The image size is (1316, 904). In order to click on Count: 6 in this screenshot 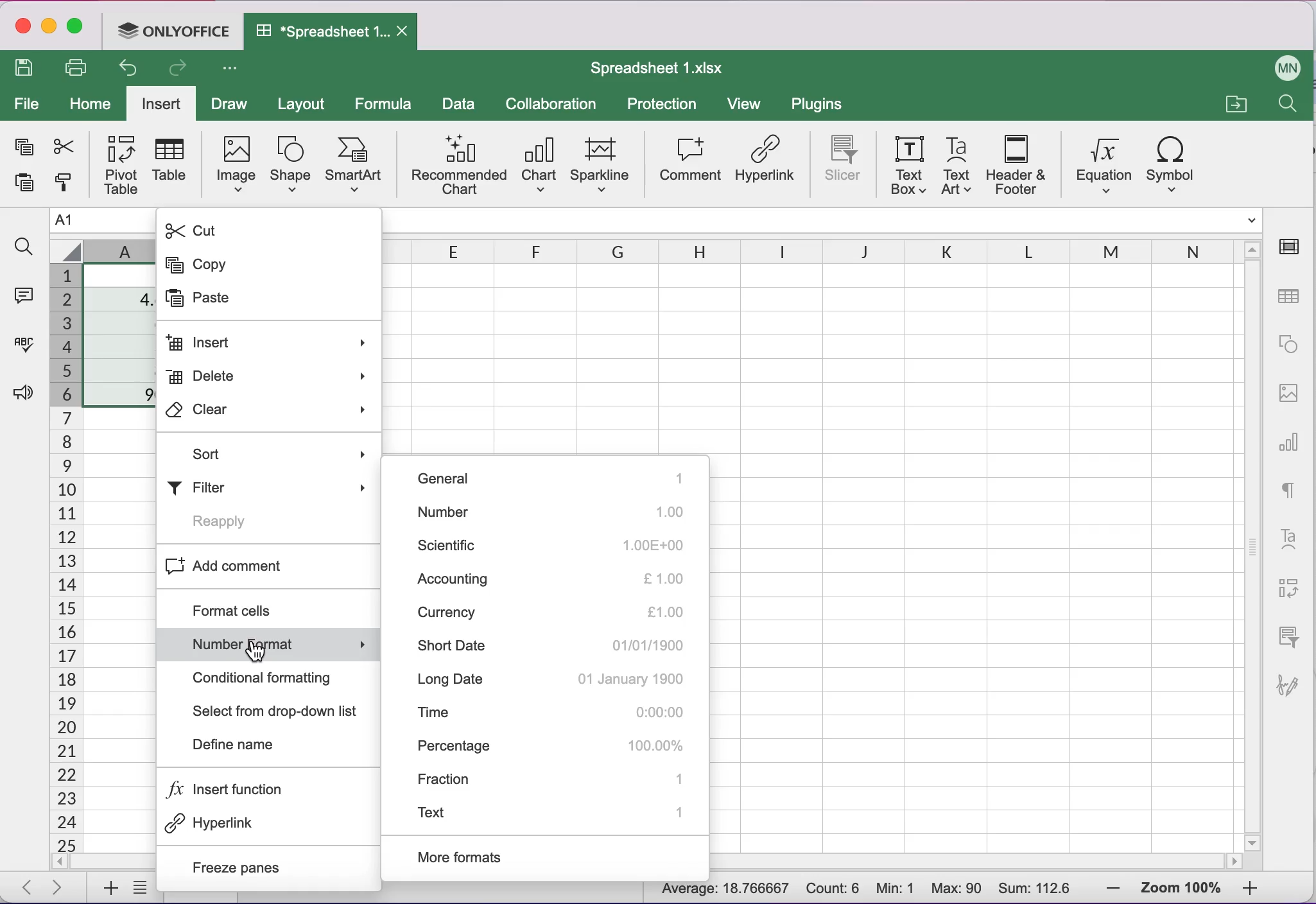, I will do `click(833, 889)`.